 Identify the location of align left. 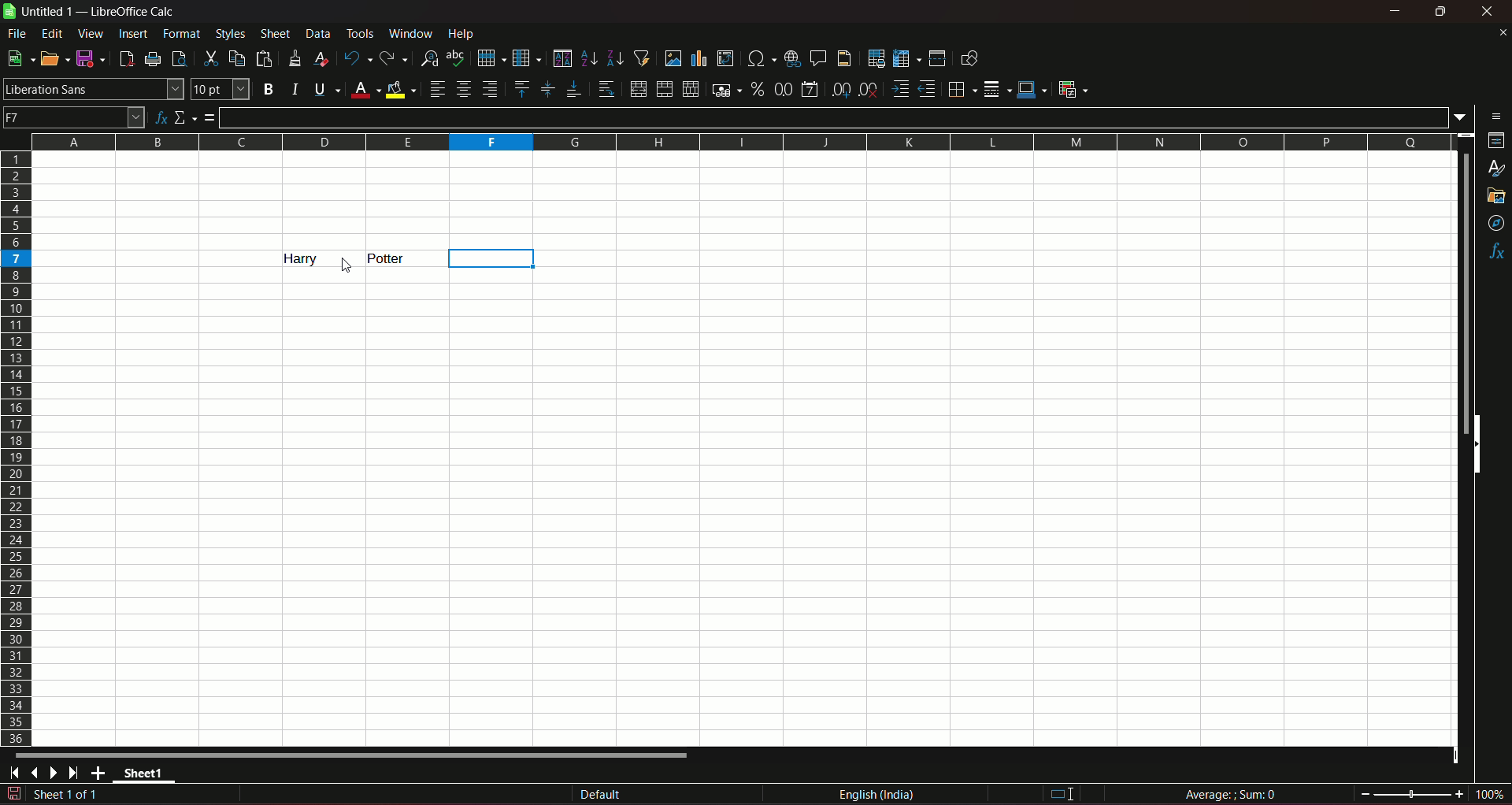
(437, 89).